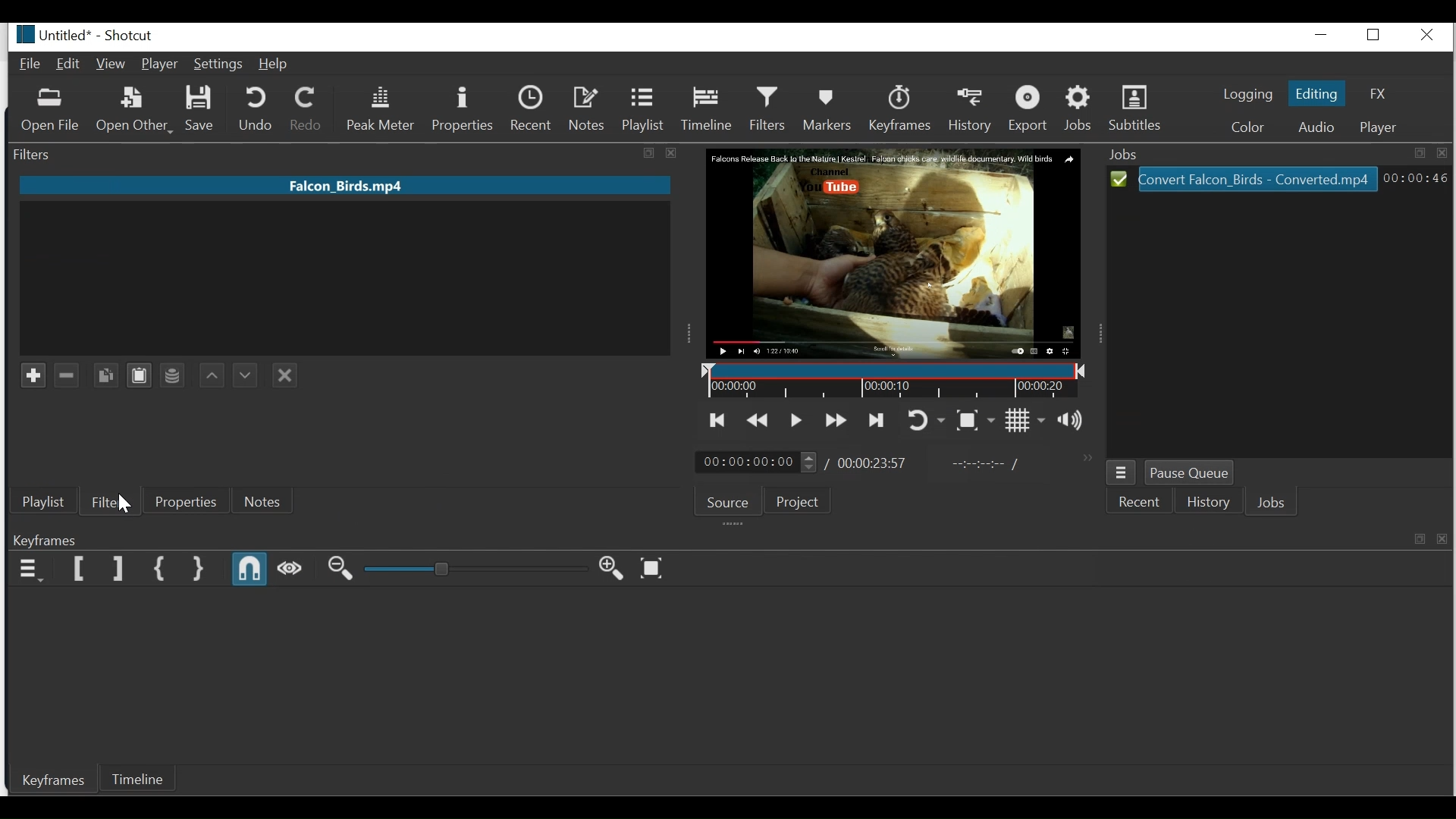 The width and height of the screenshot is (1456, 819). Describe the element at coordinates (1413, 178) in the screenshot. I see `00:00:46(Elapsed Hours: Minutes: Seconds)` at that location.